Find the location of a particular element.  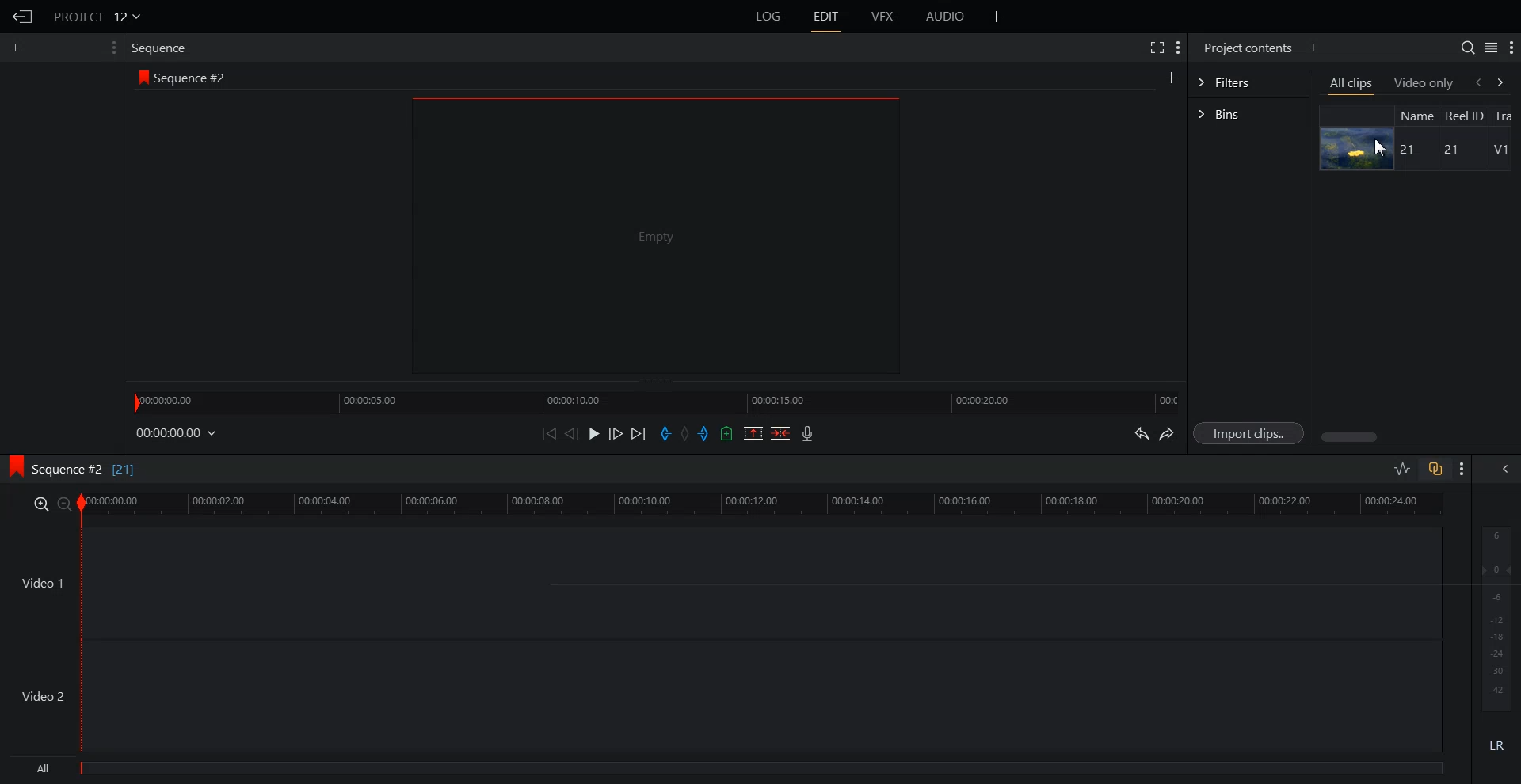

Add an Cue at the current position is located at coordinates (726, 433).